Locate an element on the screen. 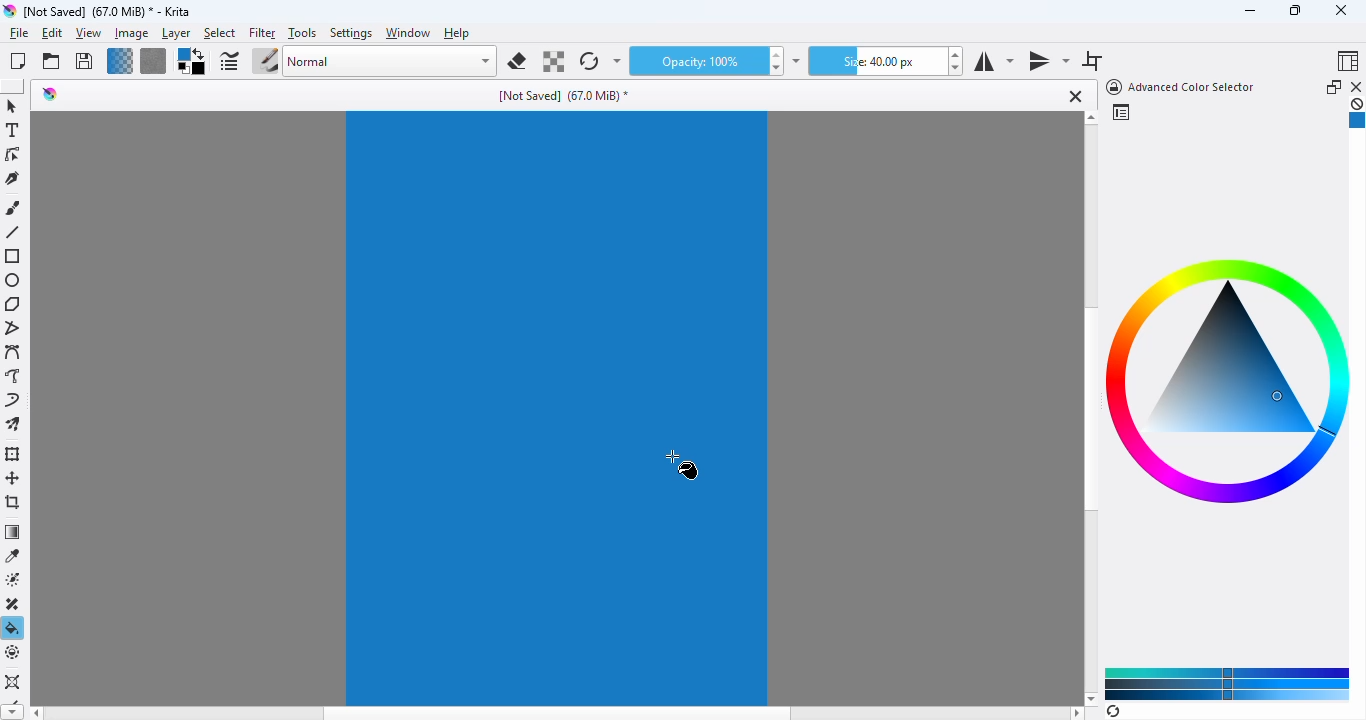  opacity is located at coordinates (695, 61).